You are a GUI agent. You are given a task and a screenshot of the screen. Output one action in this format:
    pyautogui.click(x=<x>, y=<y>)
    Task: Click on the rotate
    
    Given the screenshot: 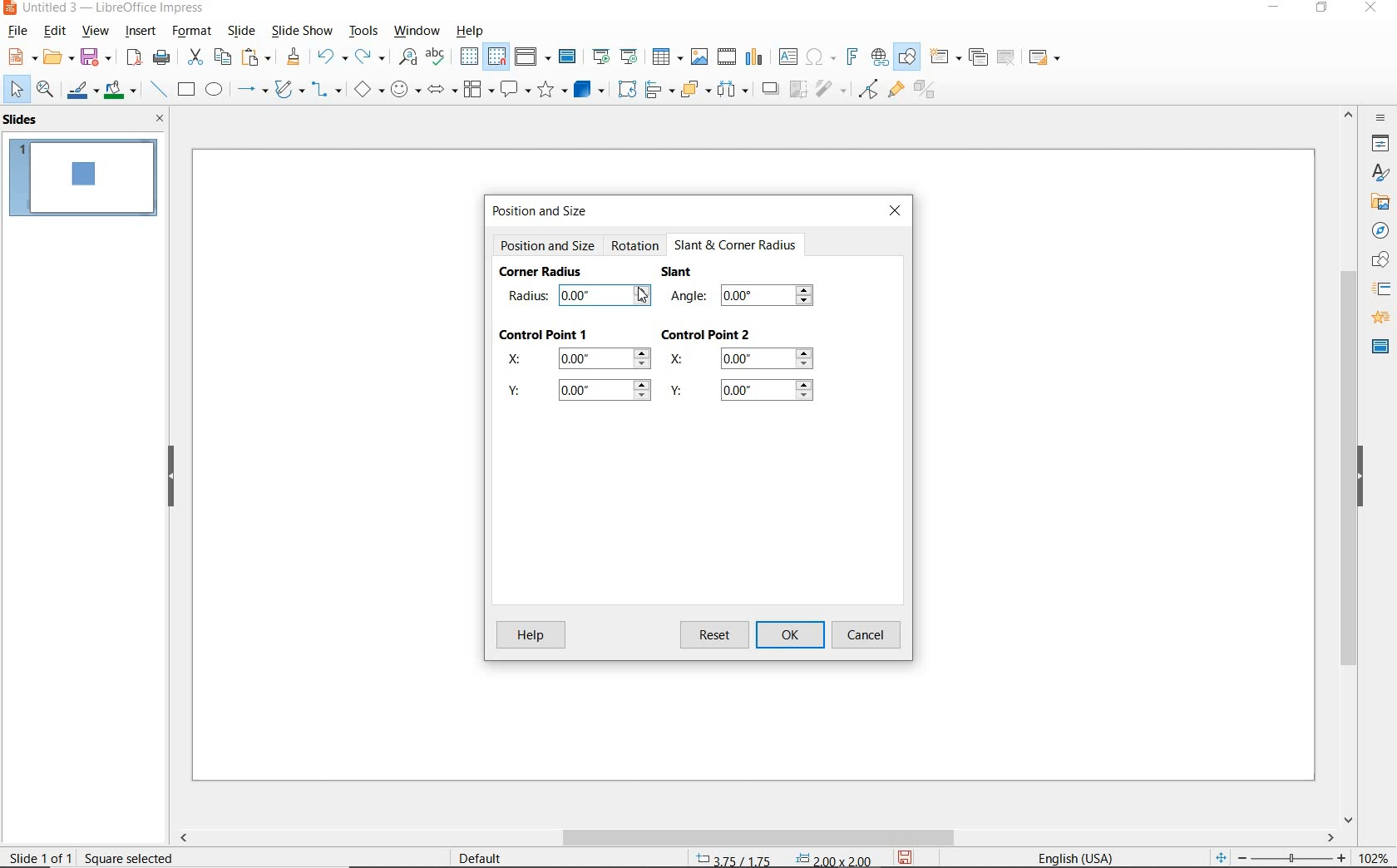 What is the action you would take?
    pyautogui.click(x=626, y=90)
    